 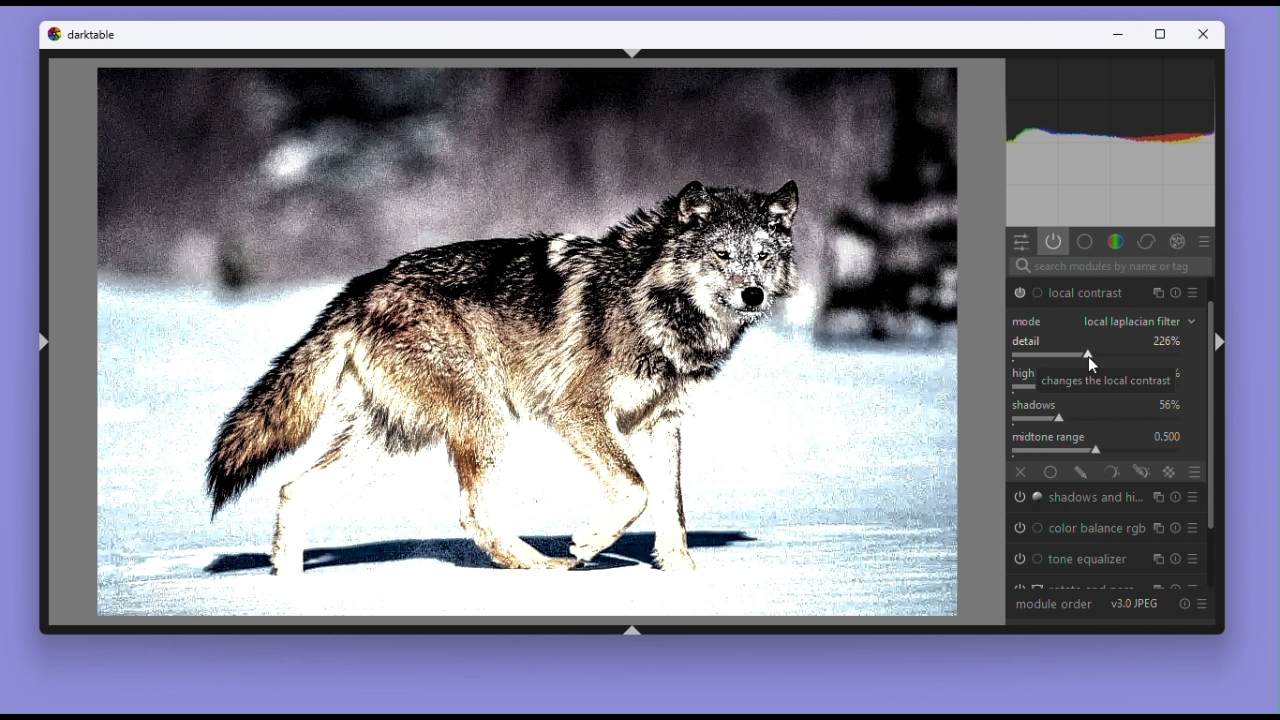 I want to click on changes the local contrast, so click(x=1102, y=379).